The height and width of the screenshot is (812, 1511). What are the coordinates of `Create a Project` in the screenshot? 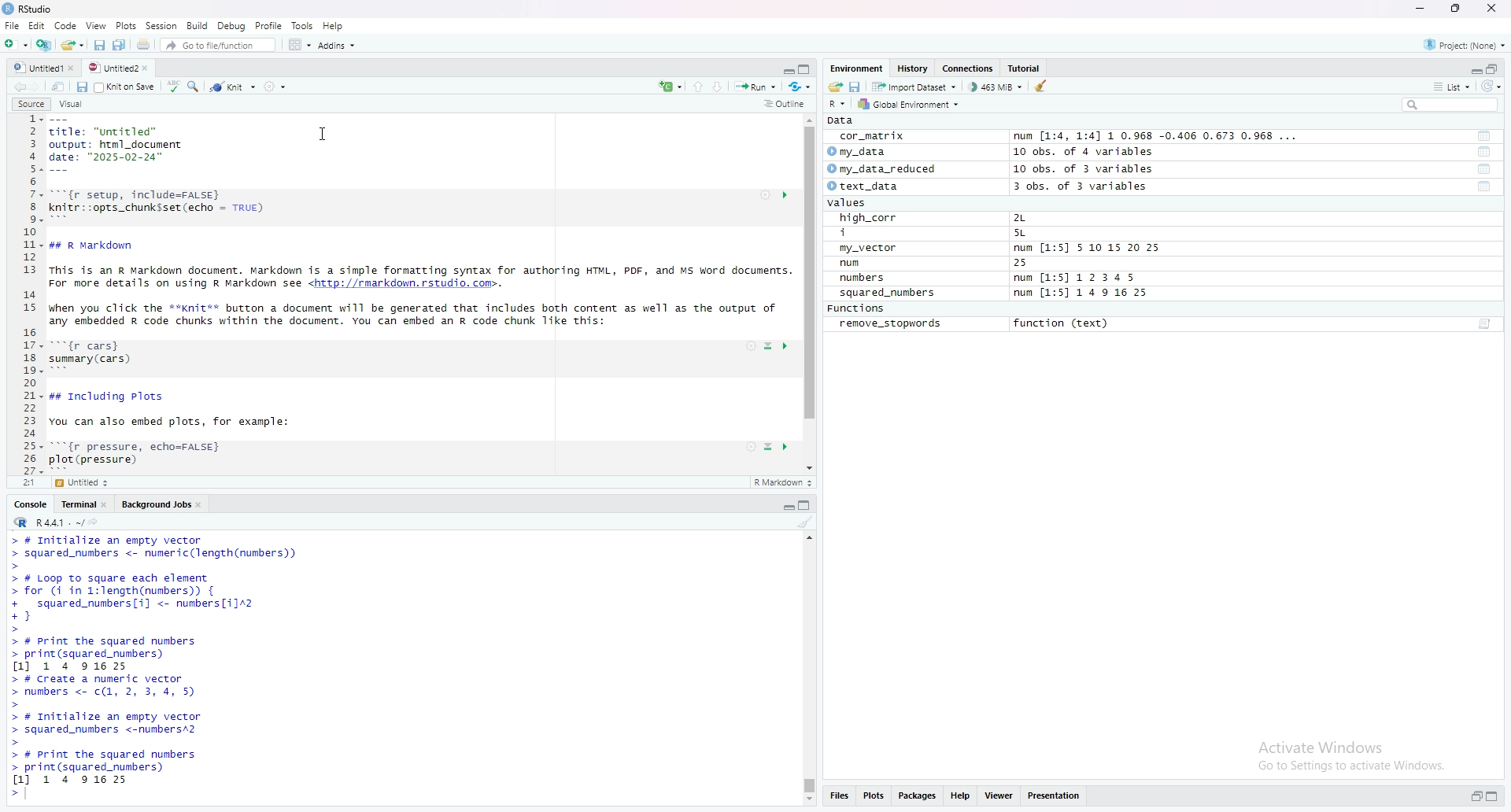 It's located at (42, 45).